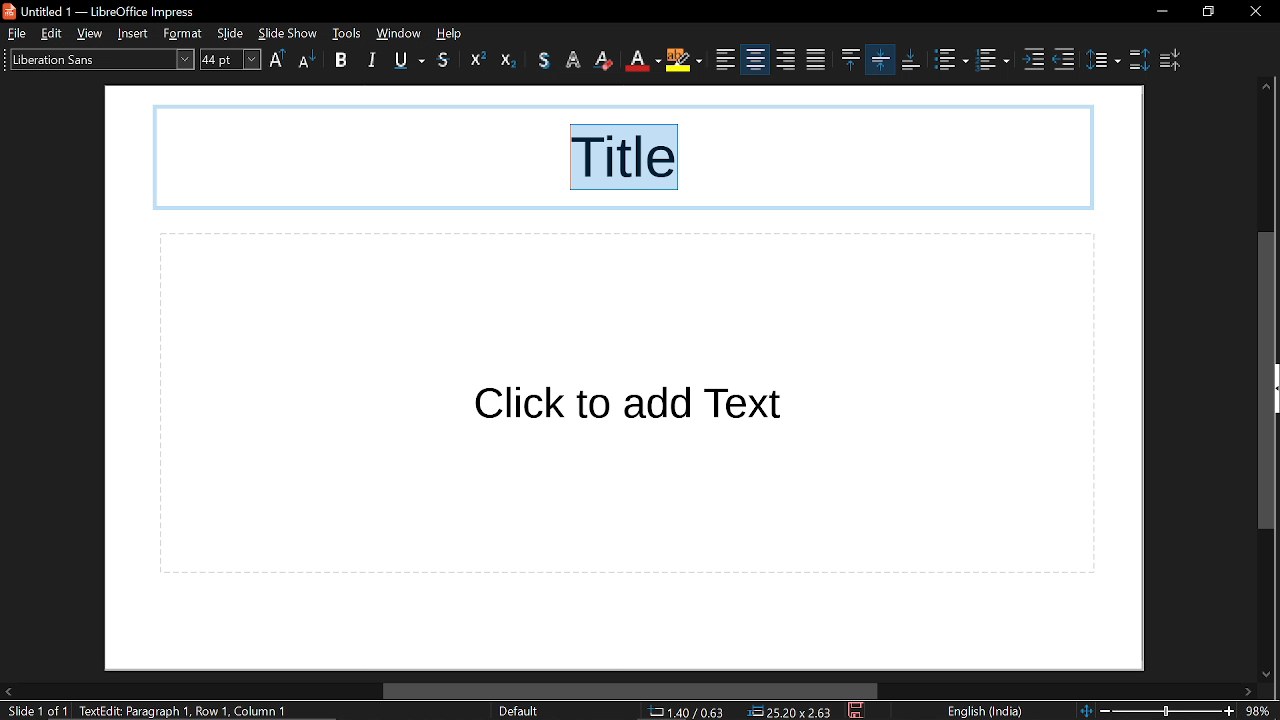 The image size is (1280, 720). What do you see at coordinates (983, 712) in the screenshot?
I see `language` at bounding box center [983, 712].